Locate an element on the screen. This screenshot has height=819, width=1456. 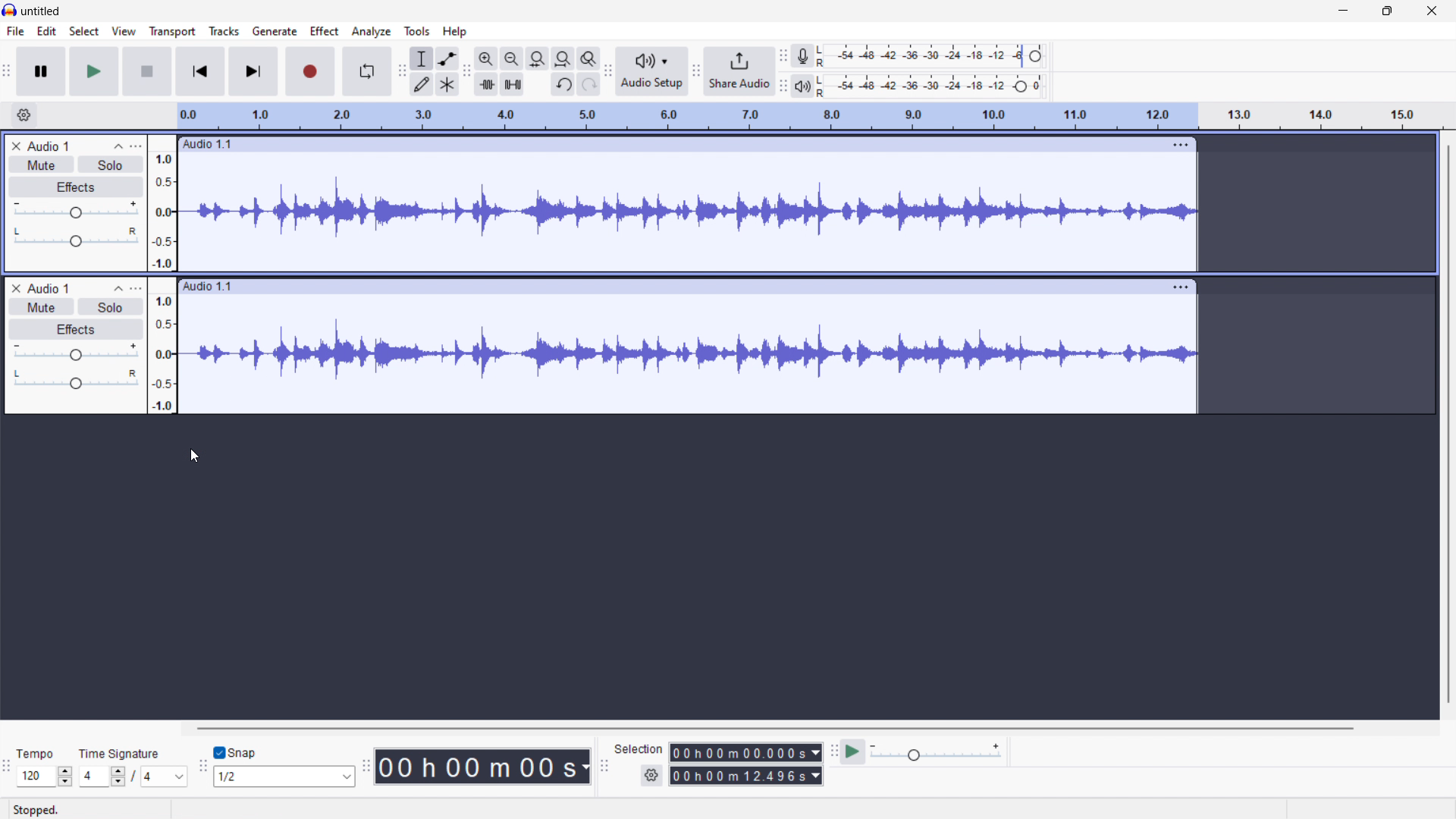
effects is located at coordinates (76, 187).